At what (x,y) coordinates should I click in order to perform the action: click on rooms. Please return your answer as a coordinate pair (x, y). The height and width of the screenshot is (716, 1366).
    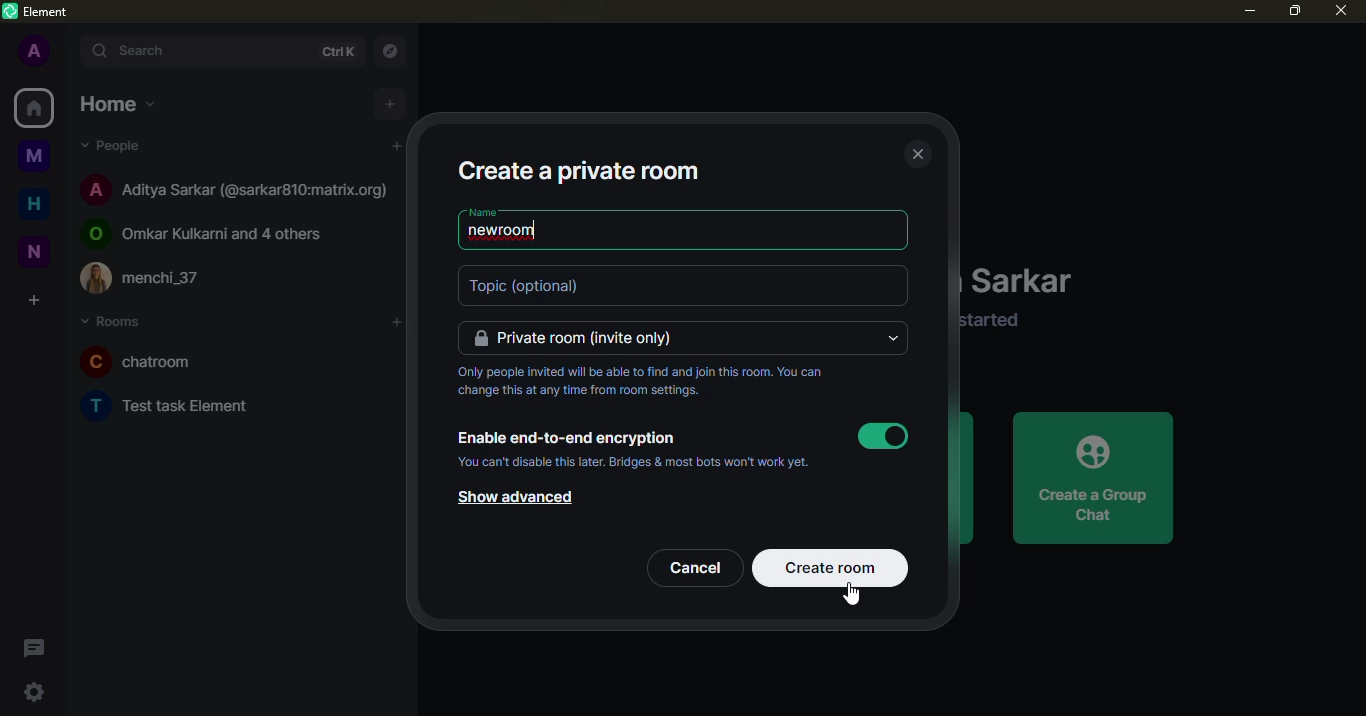
    Looking at the image, I should click on (114, 323).